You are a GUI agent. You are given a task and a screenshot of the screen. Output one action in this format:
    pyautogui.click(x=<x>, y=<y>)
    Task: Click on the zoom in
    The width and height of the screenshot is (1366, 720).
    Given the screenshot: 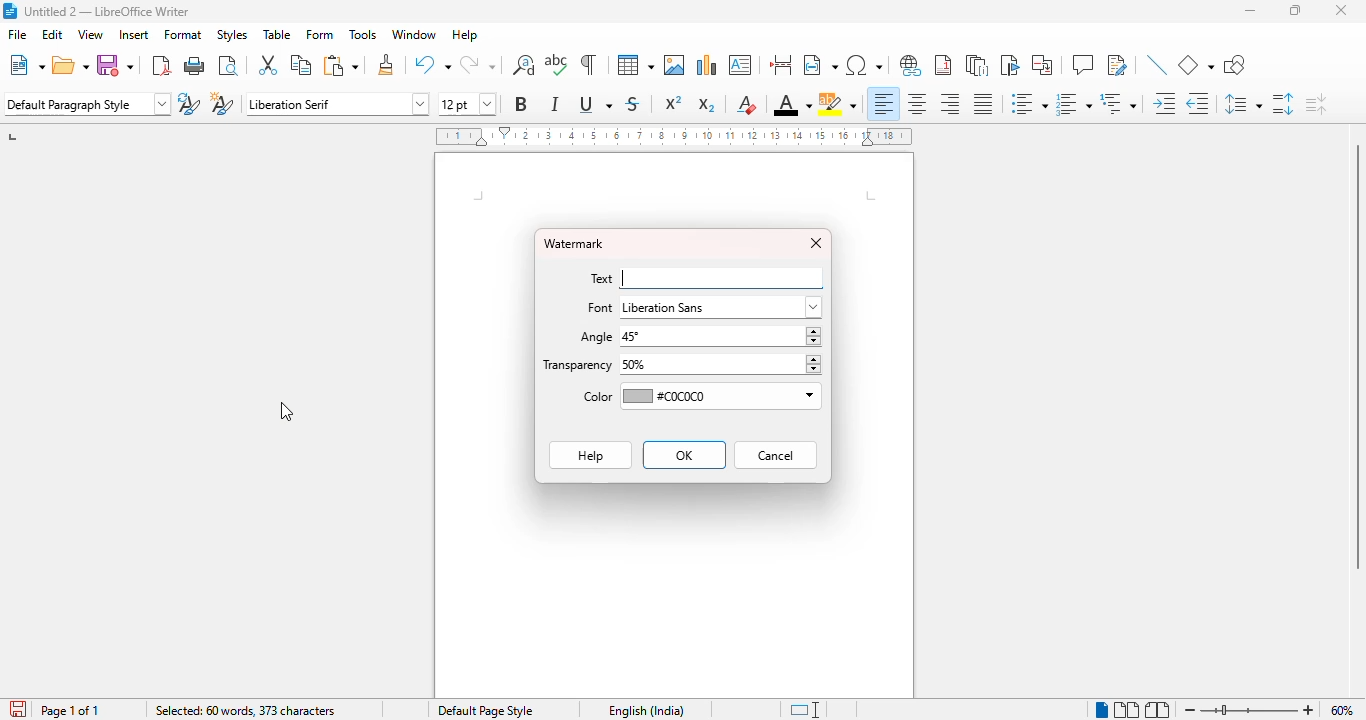 What is the action you would take?
    pyautogui.click(x=1309, y=709)
    